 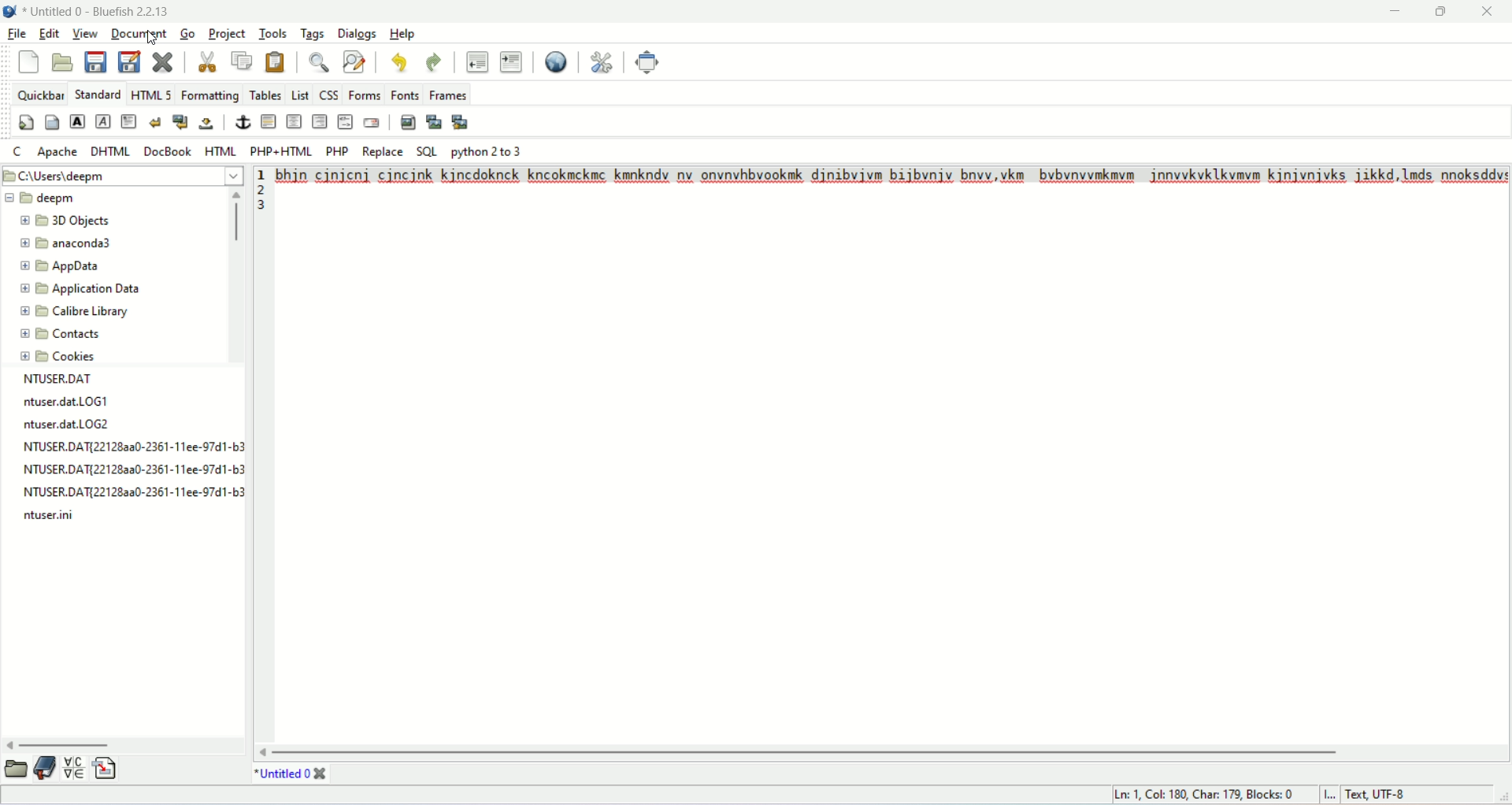 What do you see at coordinates (427, 151) in the screenshot?
I see `SQL` at bounding box center [427, 151].